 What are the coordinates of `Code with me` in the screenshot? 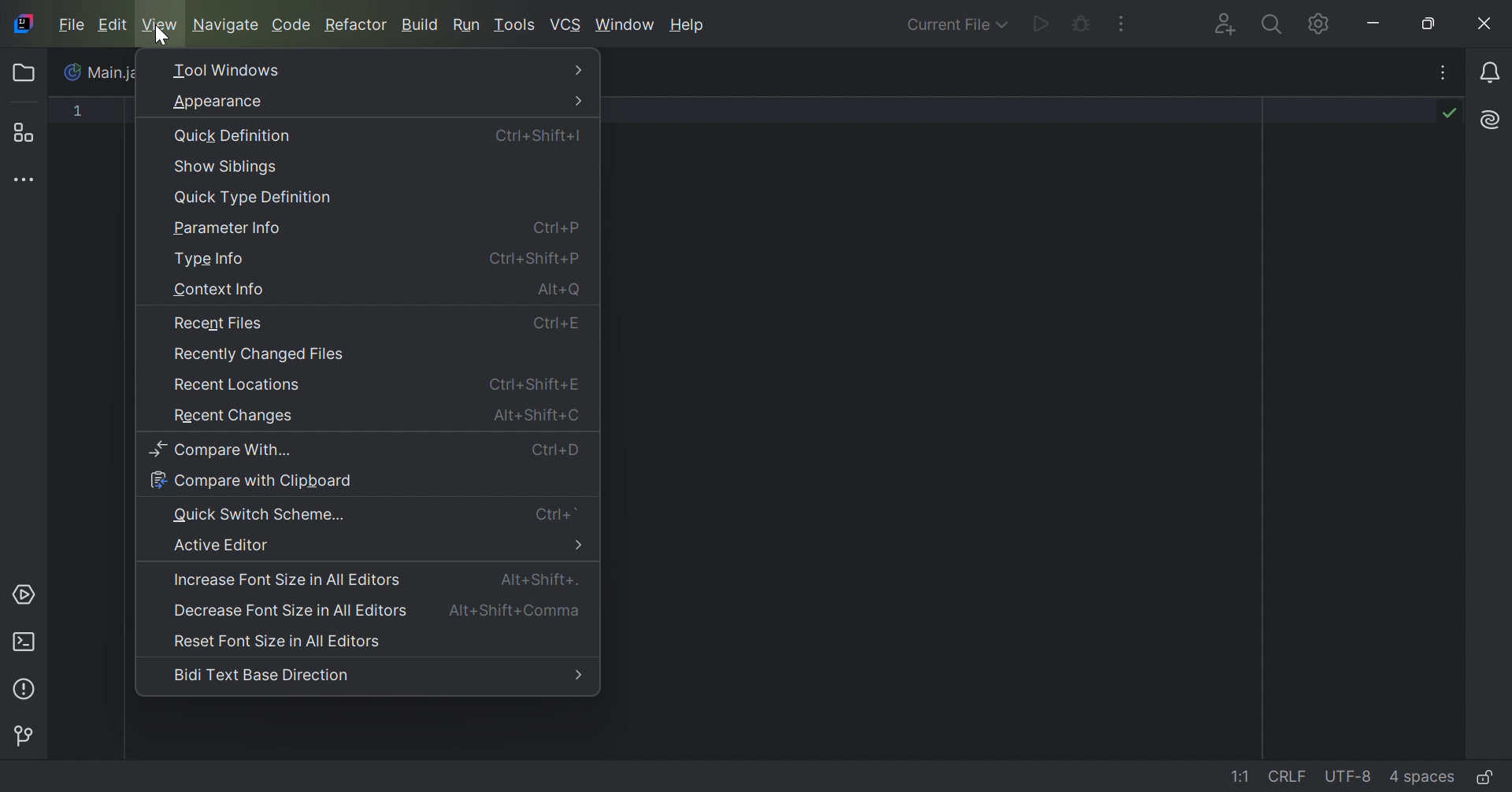 It's located at (1223, 25).